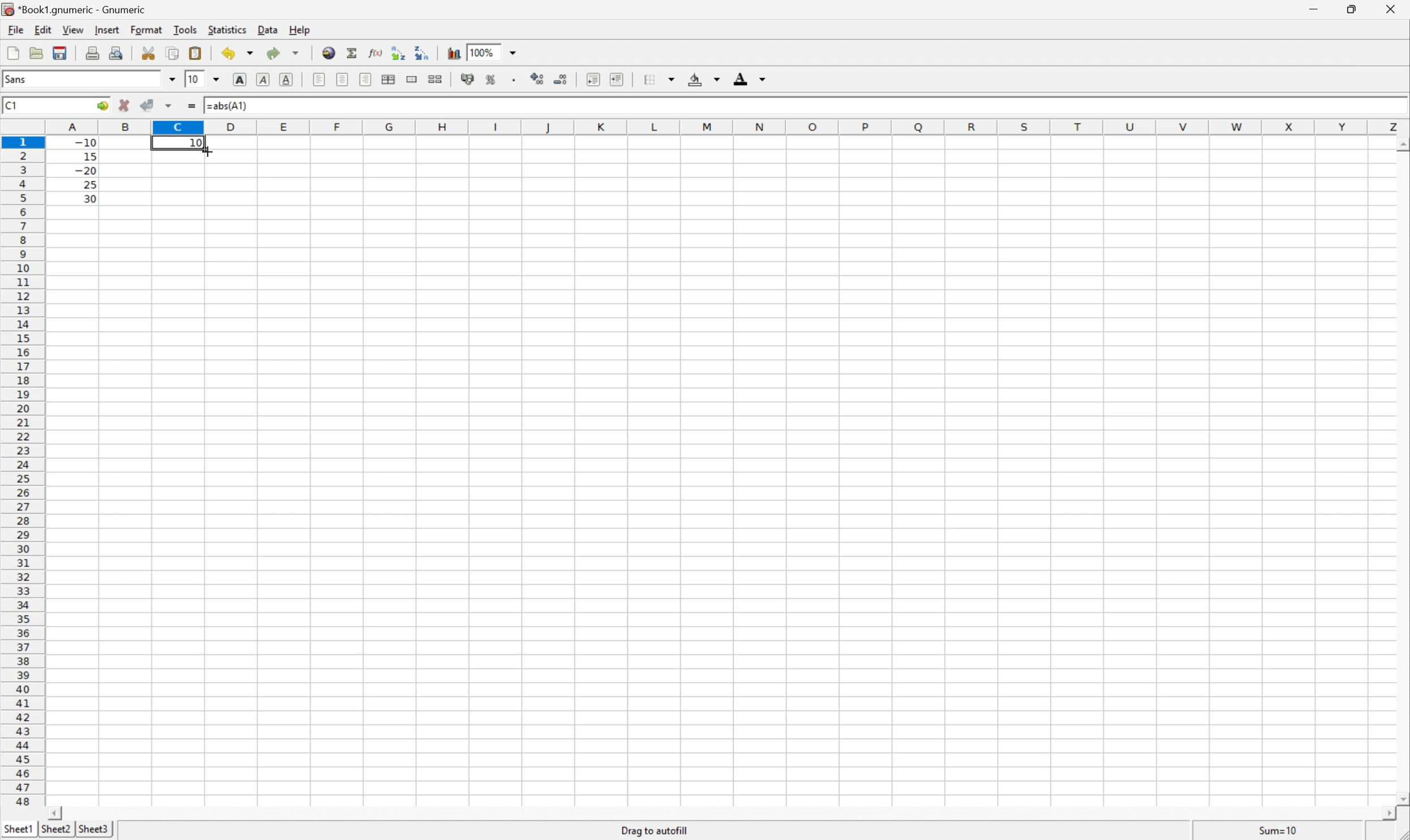 The height and width of the screenshot is (840, 1410). I want to click on Underline, so click(288, 78).